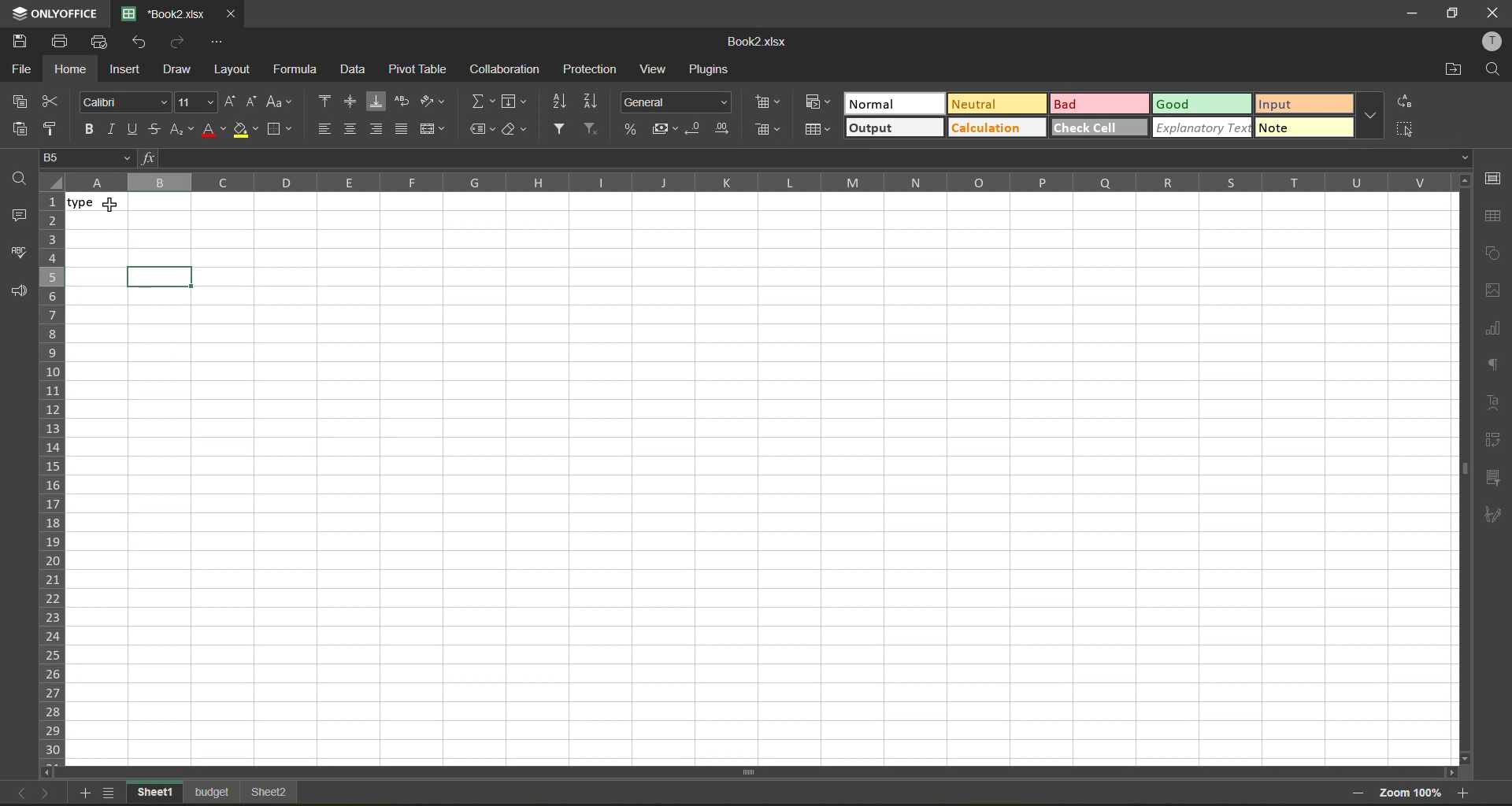 The width and height of the screenshot is (1512, 806). I want to click on charts, so click(1494, 329).